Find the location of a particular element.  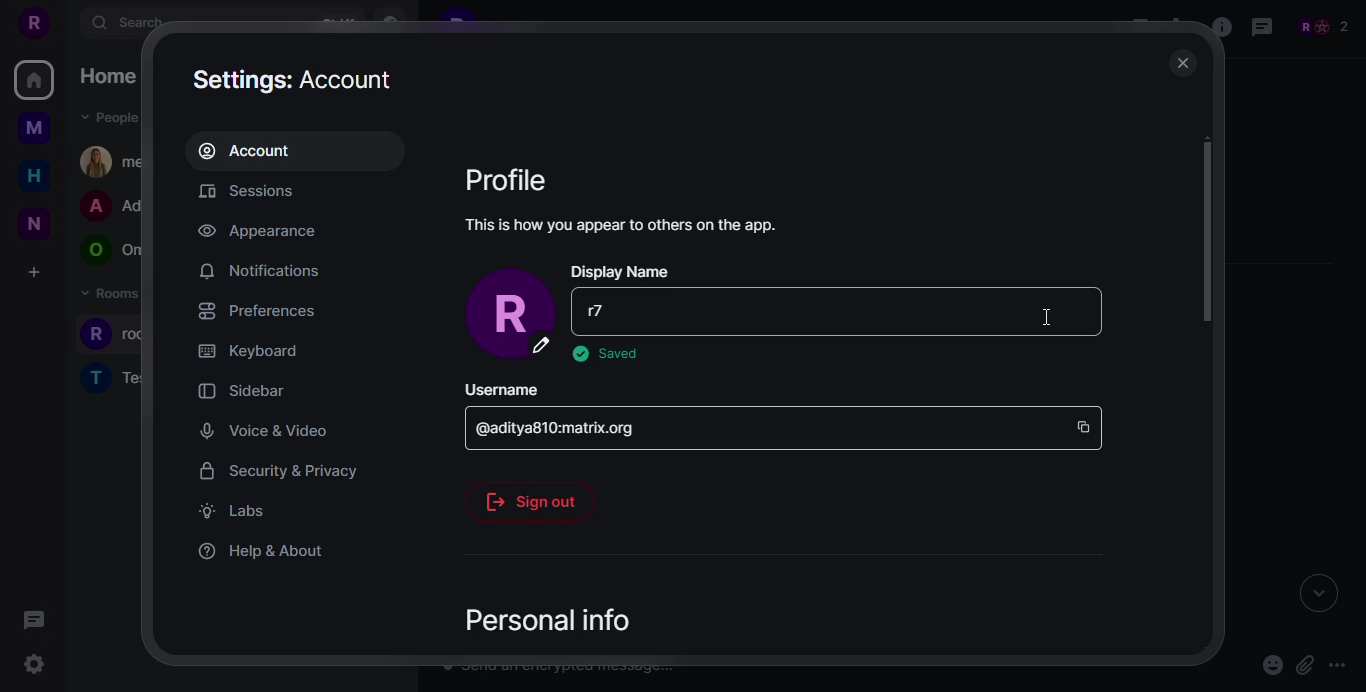

security is located at coordinates (282, 469).